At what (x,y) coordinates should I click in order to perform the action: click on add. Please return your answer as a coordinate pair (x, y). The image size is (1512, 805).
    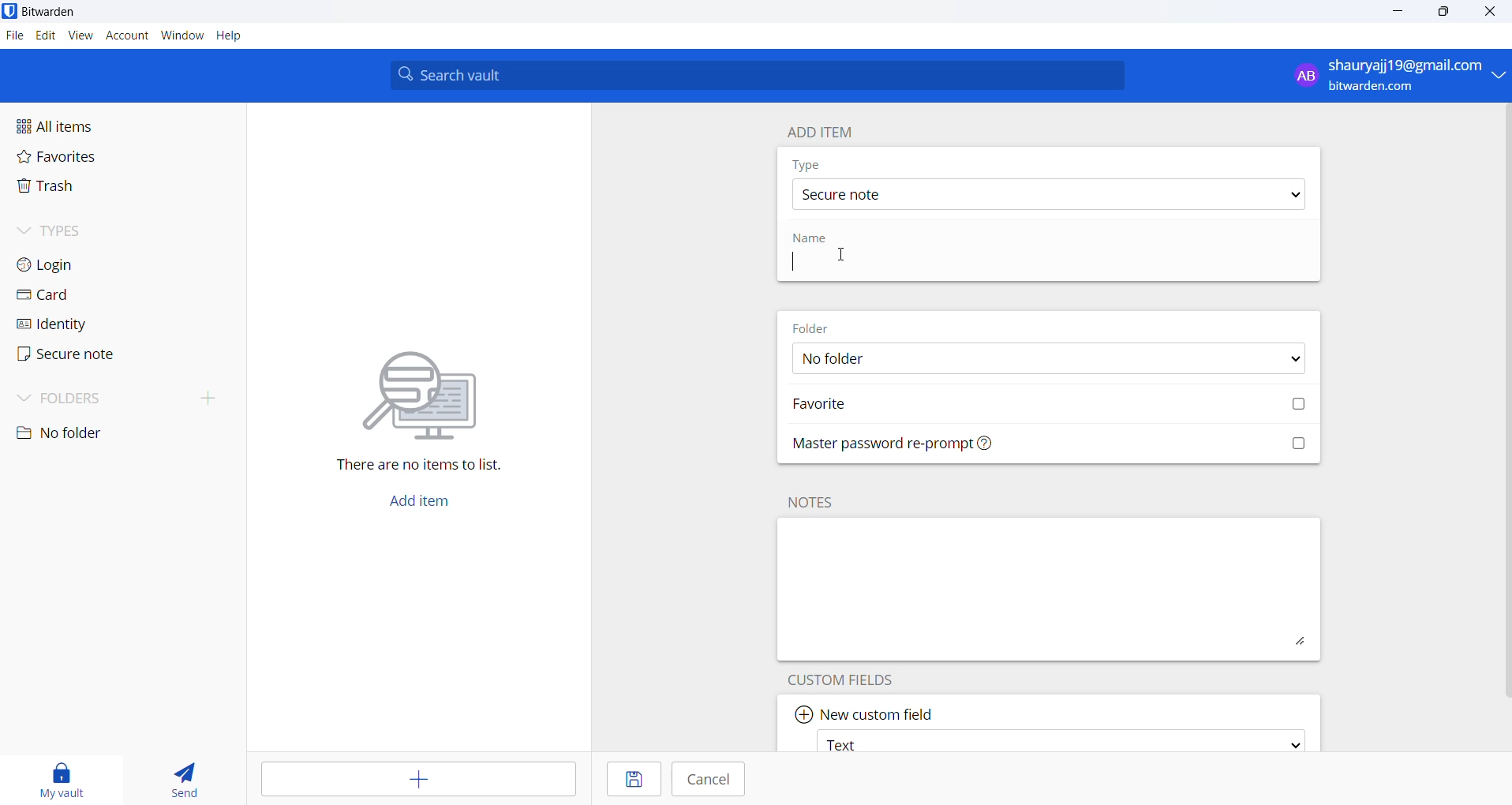
    Looking at the image, I should click on (412, 779).